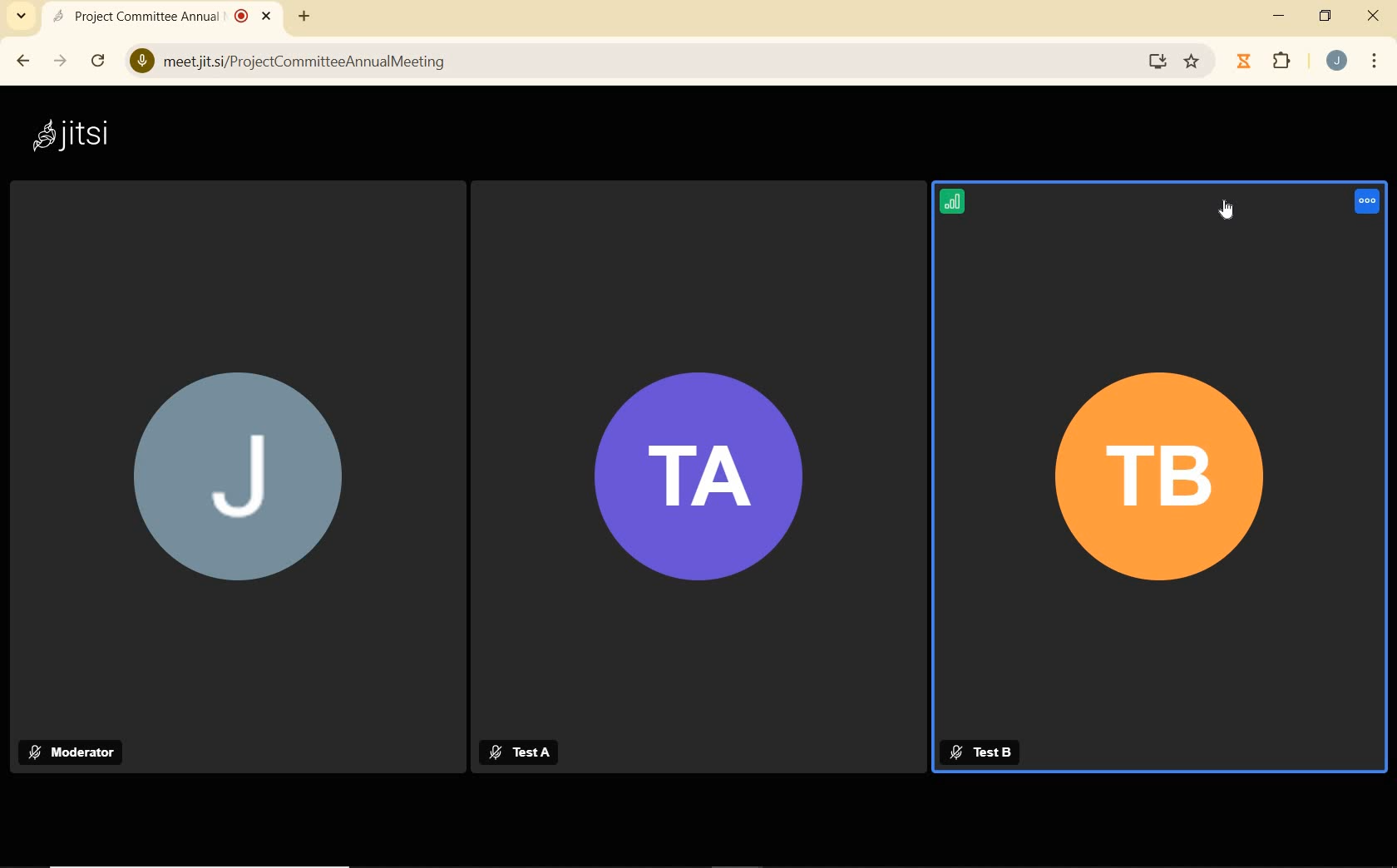  I want to click on TB, so click(1153, 476).